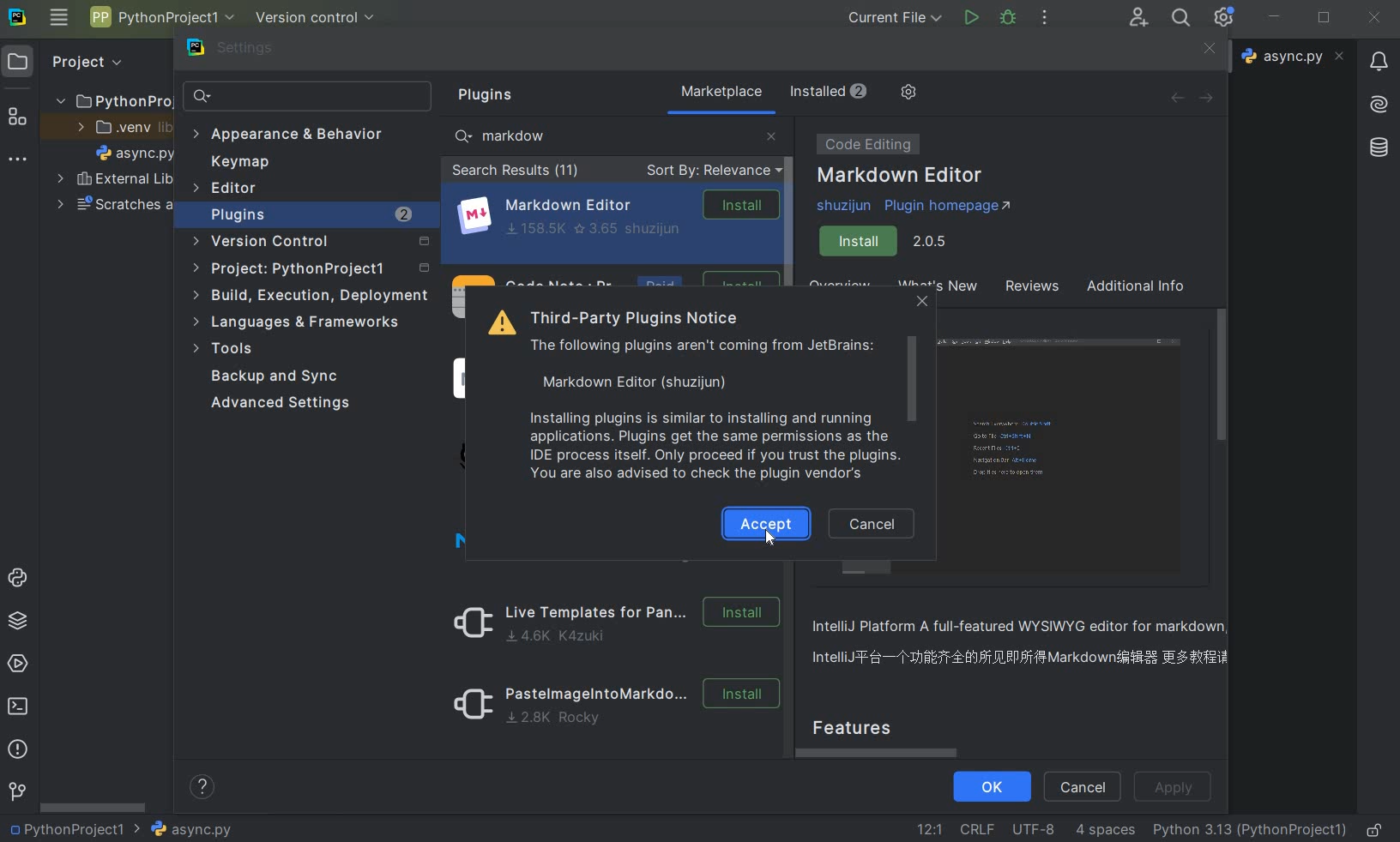  What do you see at coordinates (1224, 18) in the screenshot?
I see `ide and project settings` at bounding box center [1224, 18].